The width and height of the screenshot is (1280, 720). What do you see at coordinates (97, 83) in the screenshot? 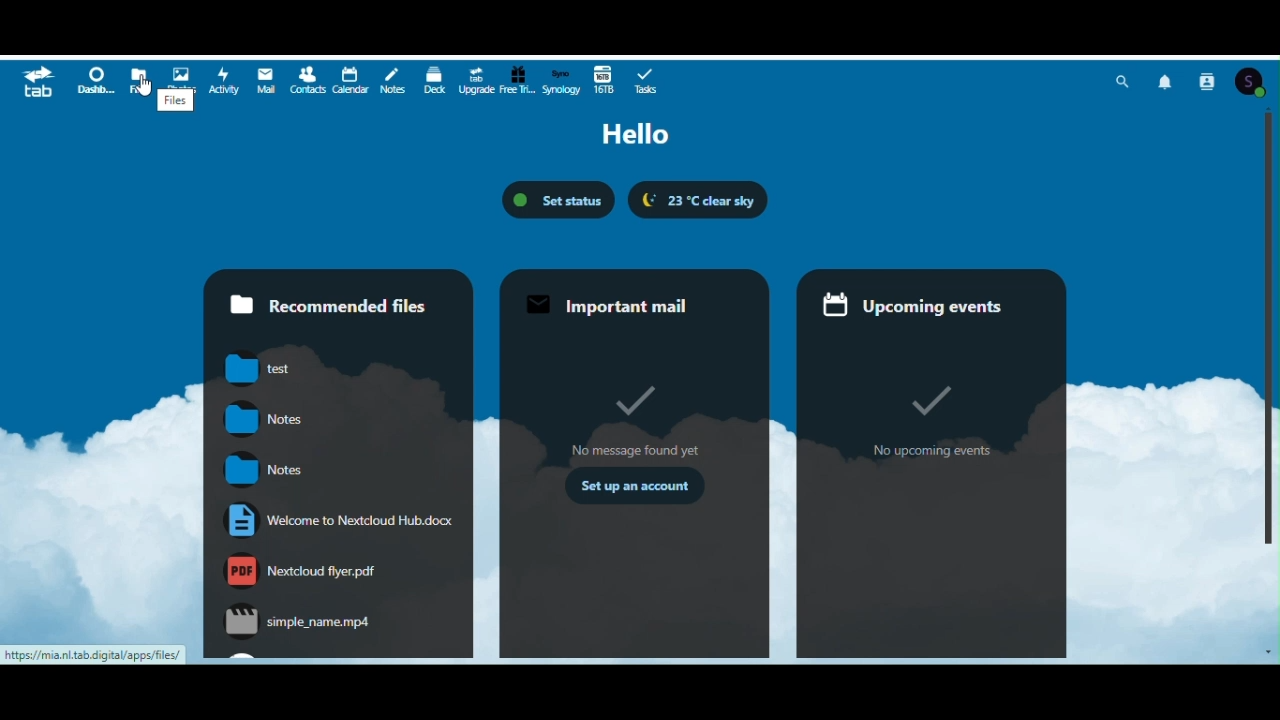
I see `Dashboard` at bounding box center [97, 83].